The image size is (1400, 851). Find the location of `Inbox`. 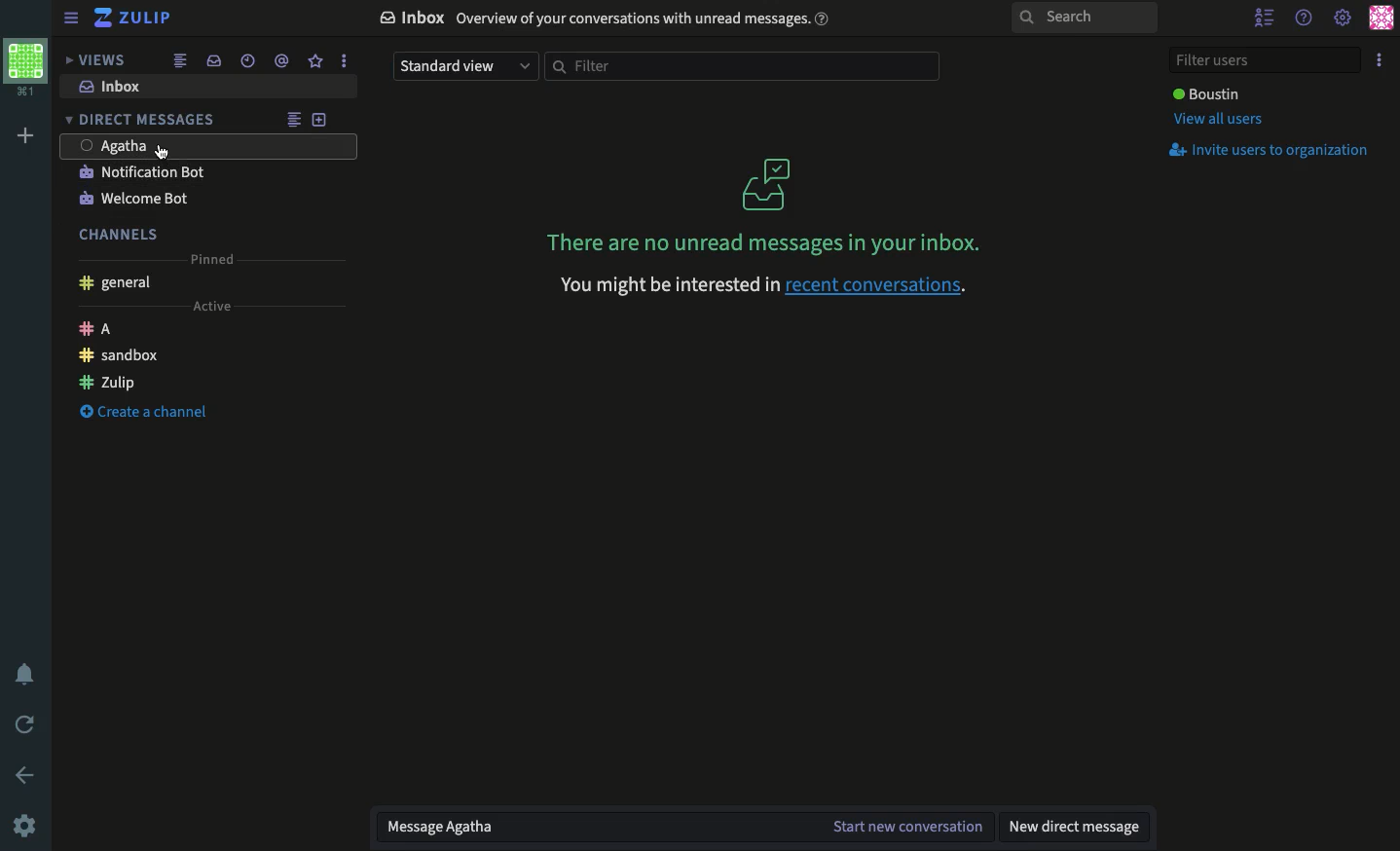

Inbox is located at coordinates (608, 19).